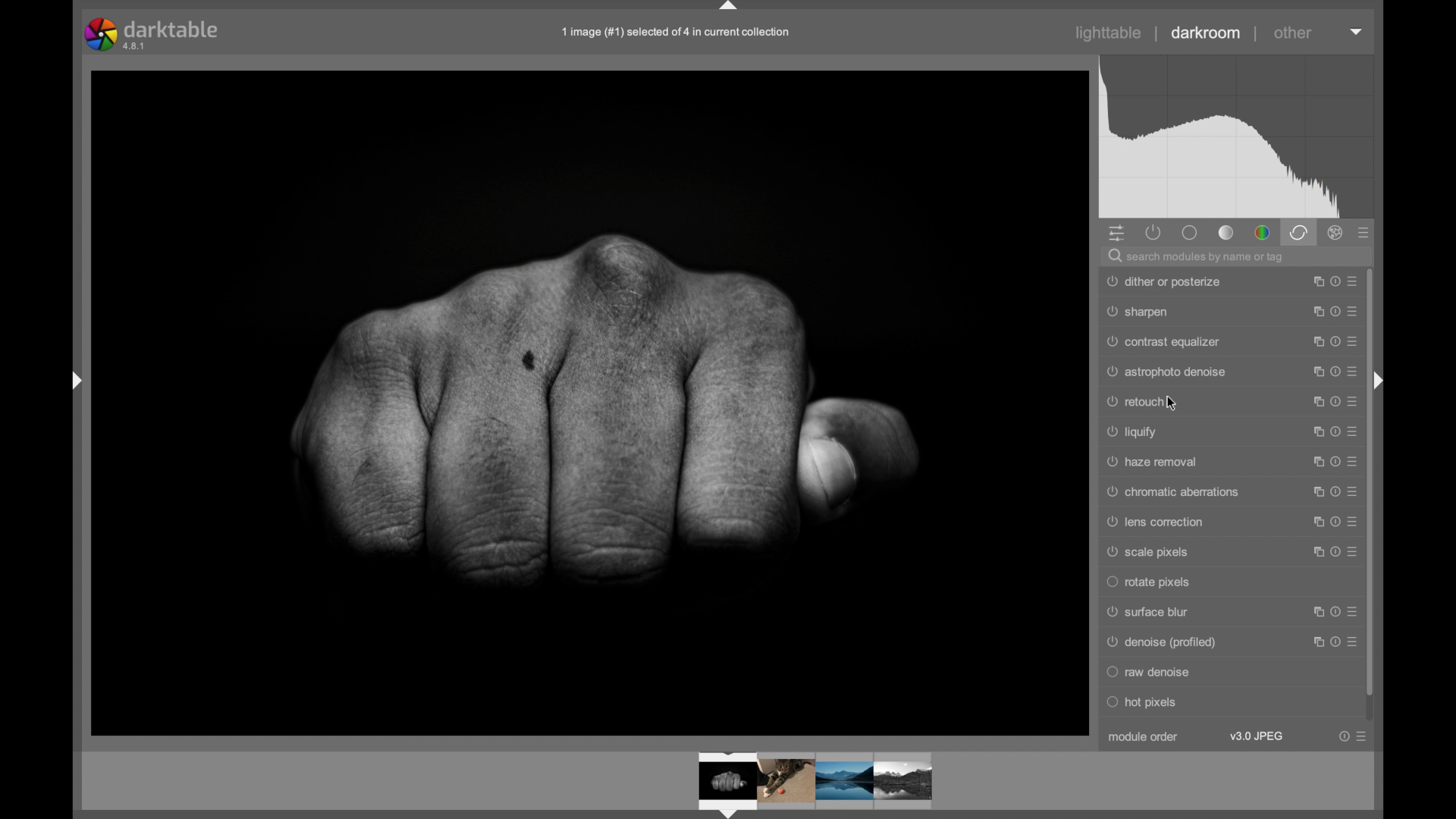 The height and width of the screenshot is (819, 1456). I want to click on more options, so click(1351, 611).